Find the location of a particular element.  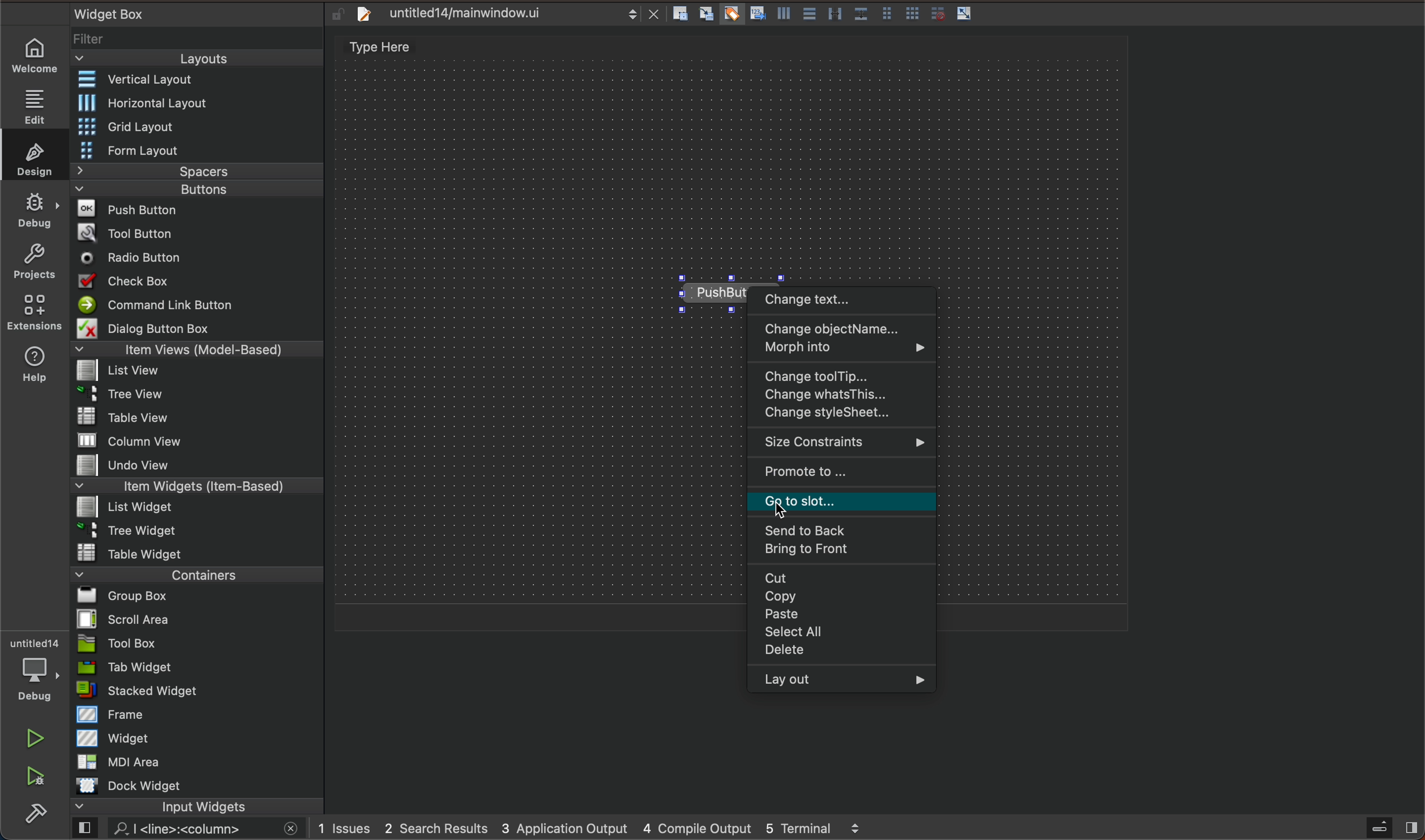

 is located at coordinates (708, 12).